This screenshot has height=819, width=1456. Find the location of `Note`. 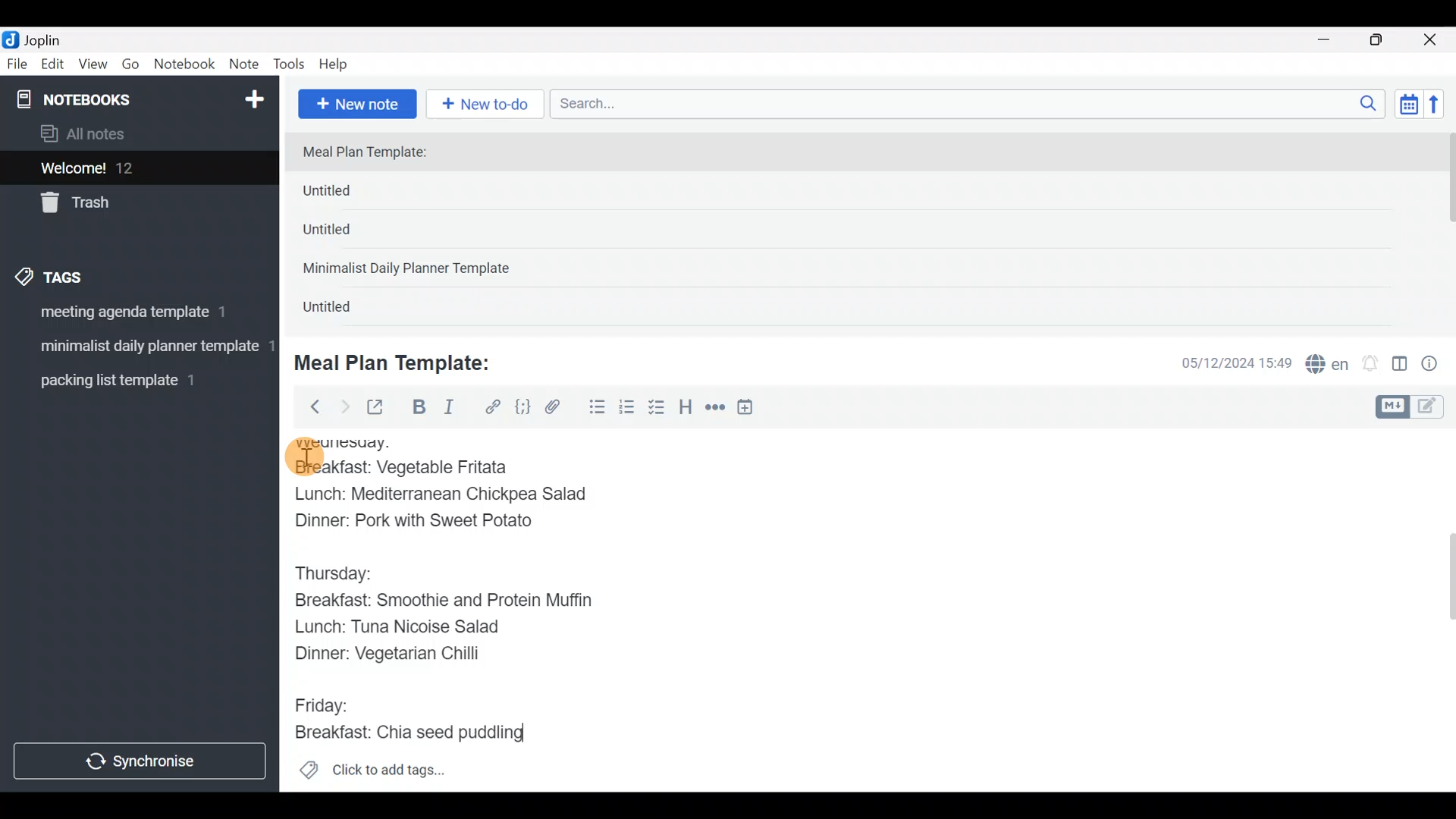

Note is located at coordinates (247, 65).